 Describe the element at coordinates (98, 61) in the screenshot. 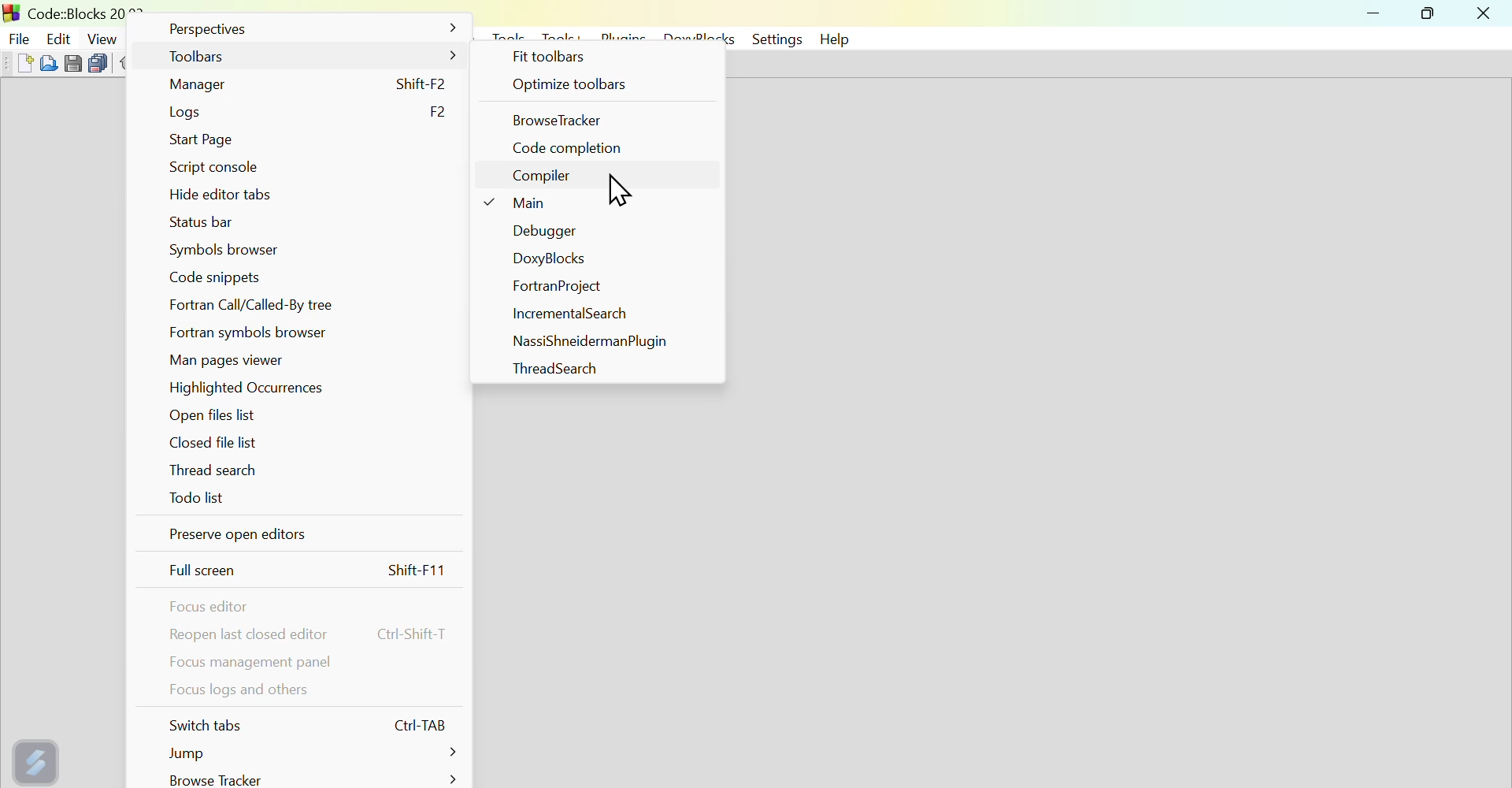

I see `Save multiple` at that location.